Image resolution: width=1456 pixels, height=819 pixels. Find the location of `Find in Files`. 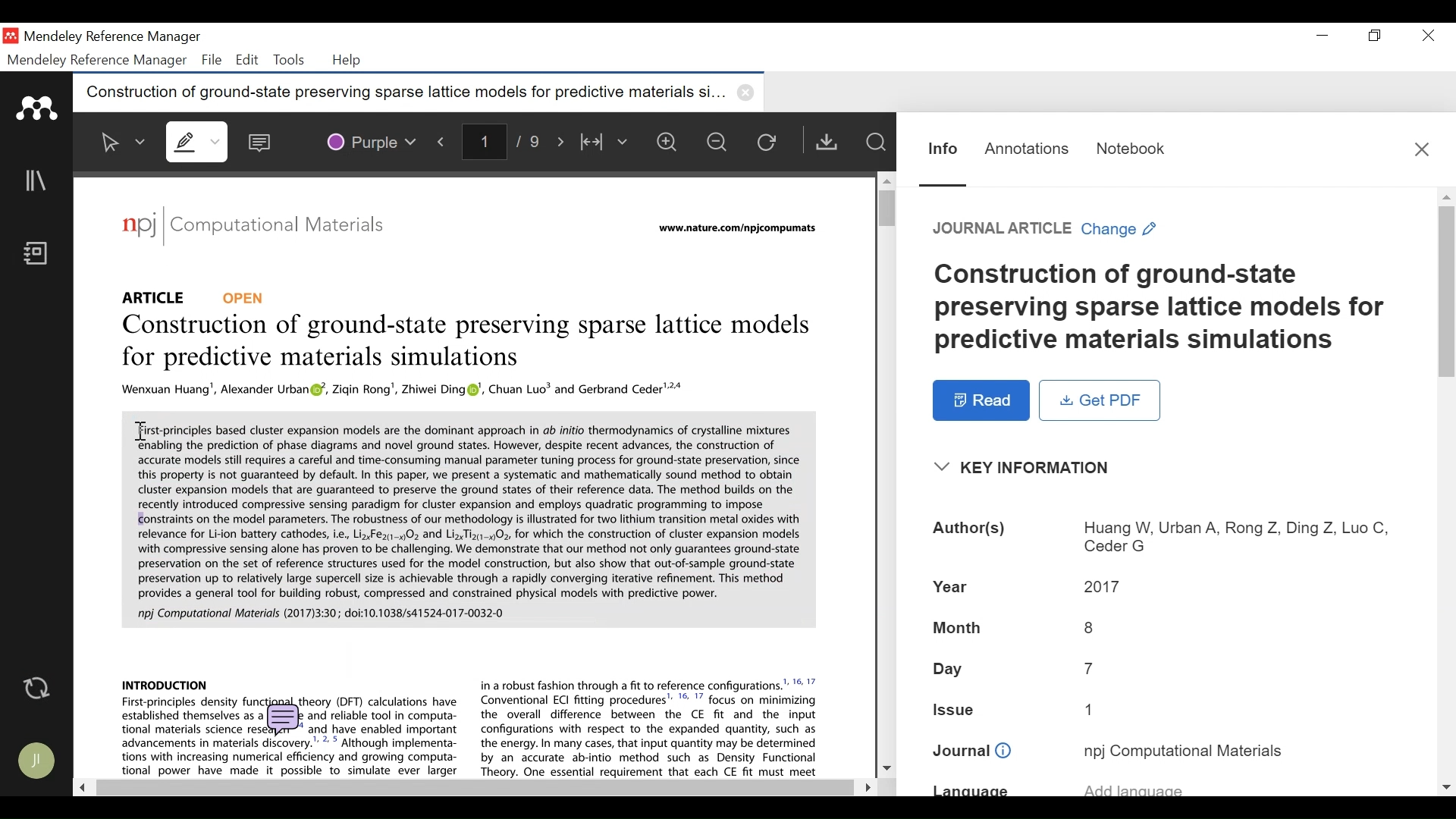

Find in Files is located at coordinates (875, 142).